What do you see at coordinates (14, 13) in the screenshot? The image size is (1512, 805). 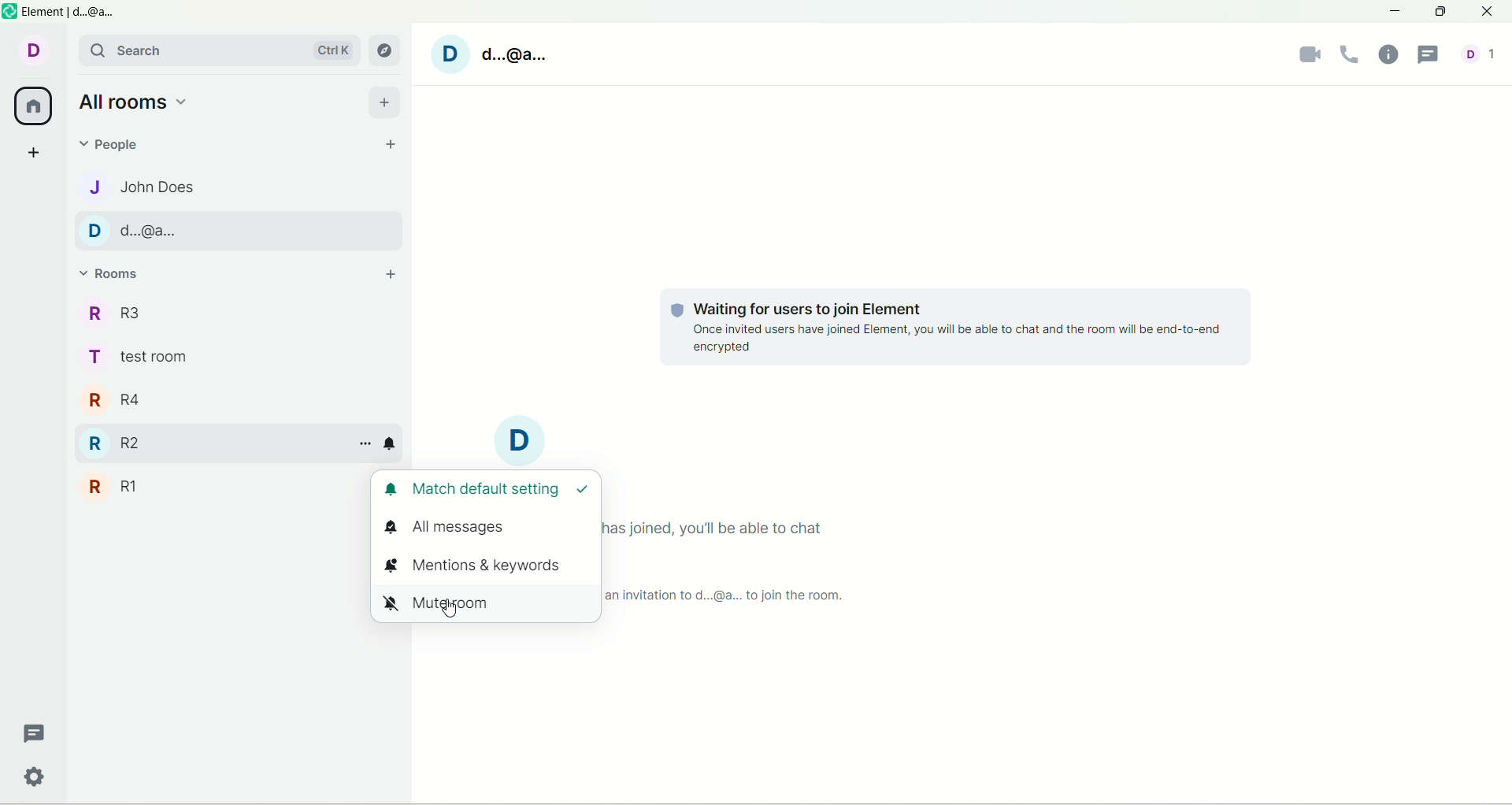 I see `logo` at bounding box center [14, 13].